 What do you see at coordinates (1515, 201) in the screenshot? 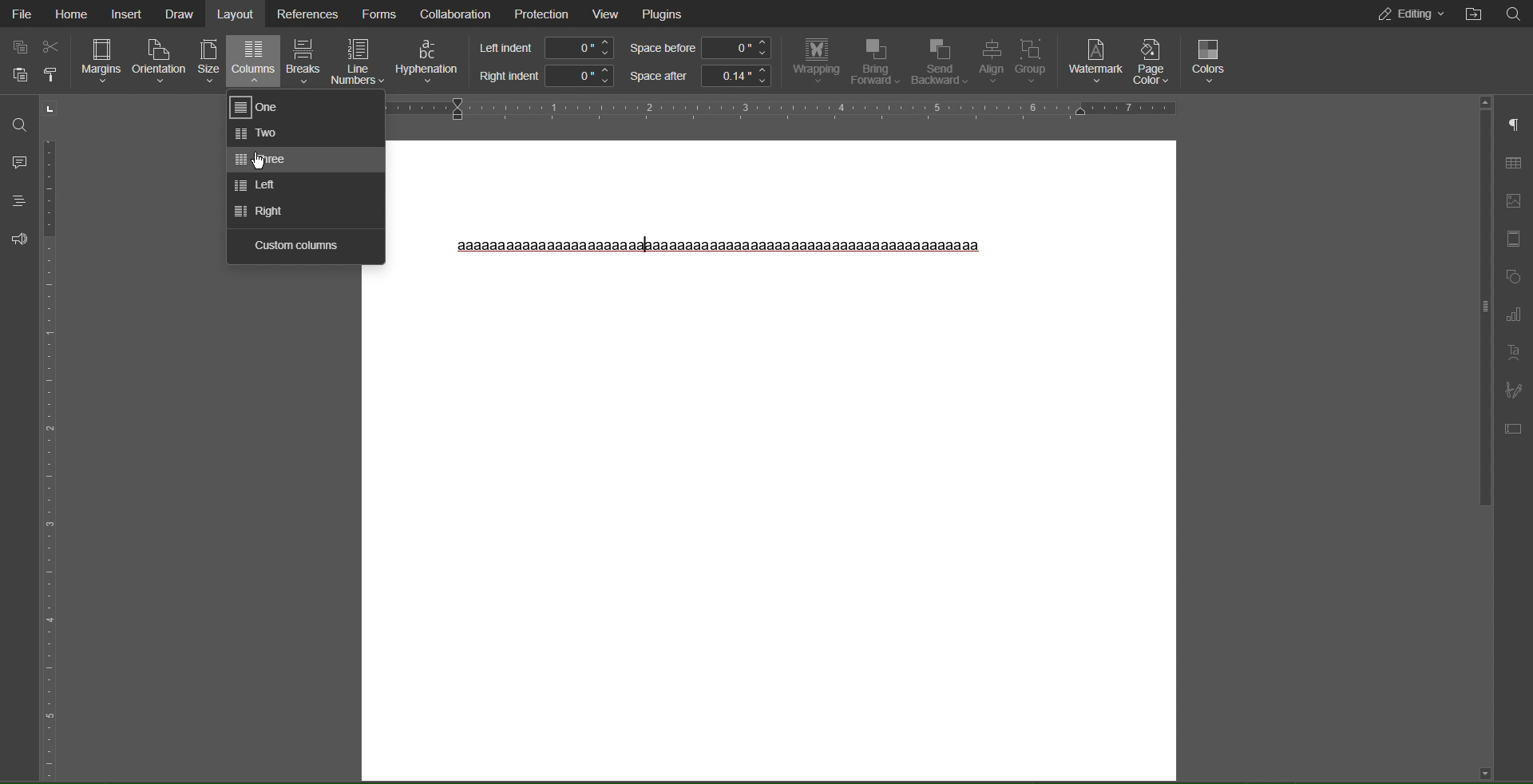
I see `Image Settings` at bounding box center [1515, 201].